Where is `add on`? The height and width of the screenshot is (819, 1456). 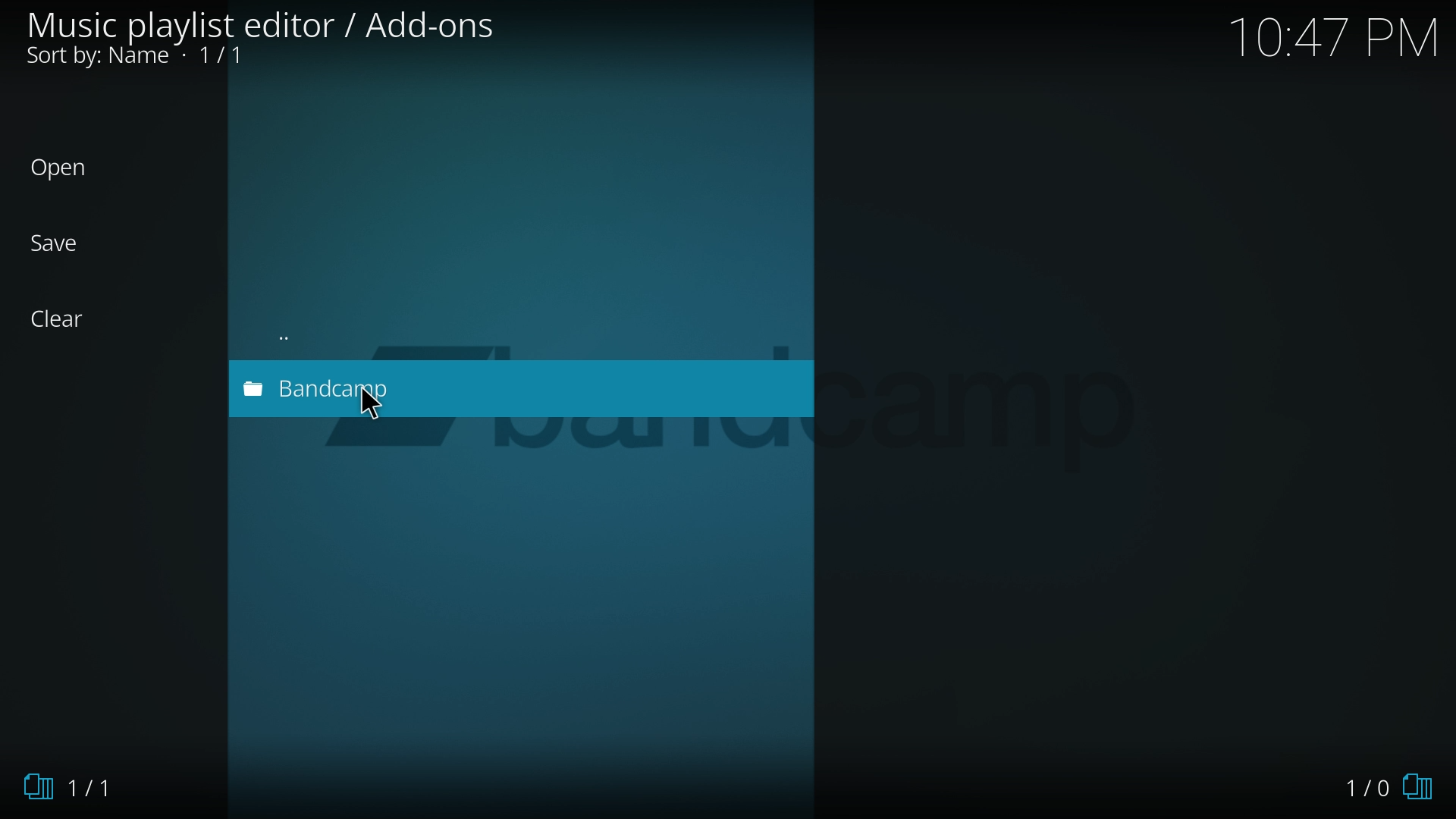 add on is located at coordinates (296, 388).